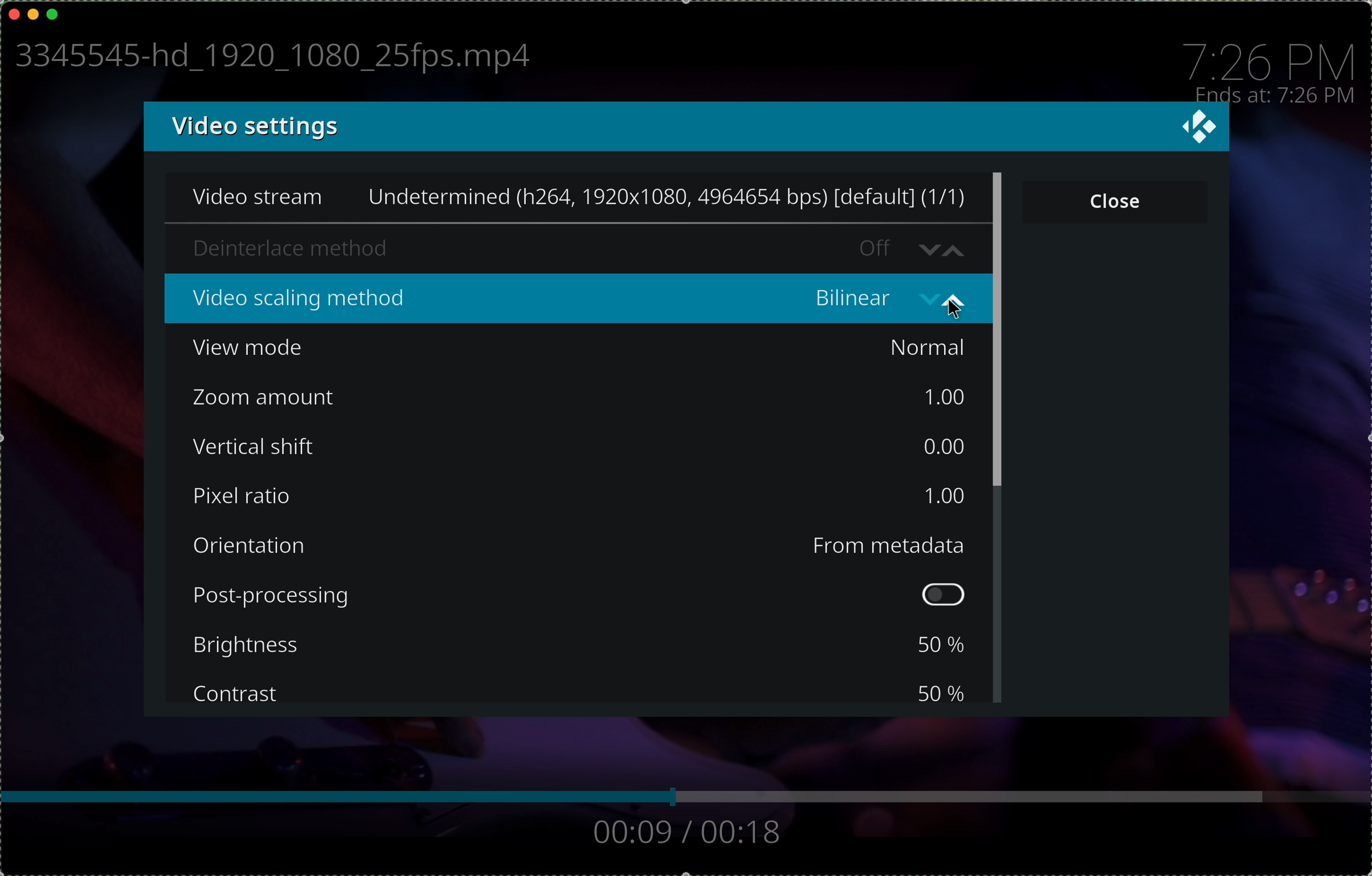 The width and height of the screenshot is (1372, 876). I want to click on deinterlace method, so click(567, 249).